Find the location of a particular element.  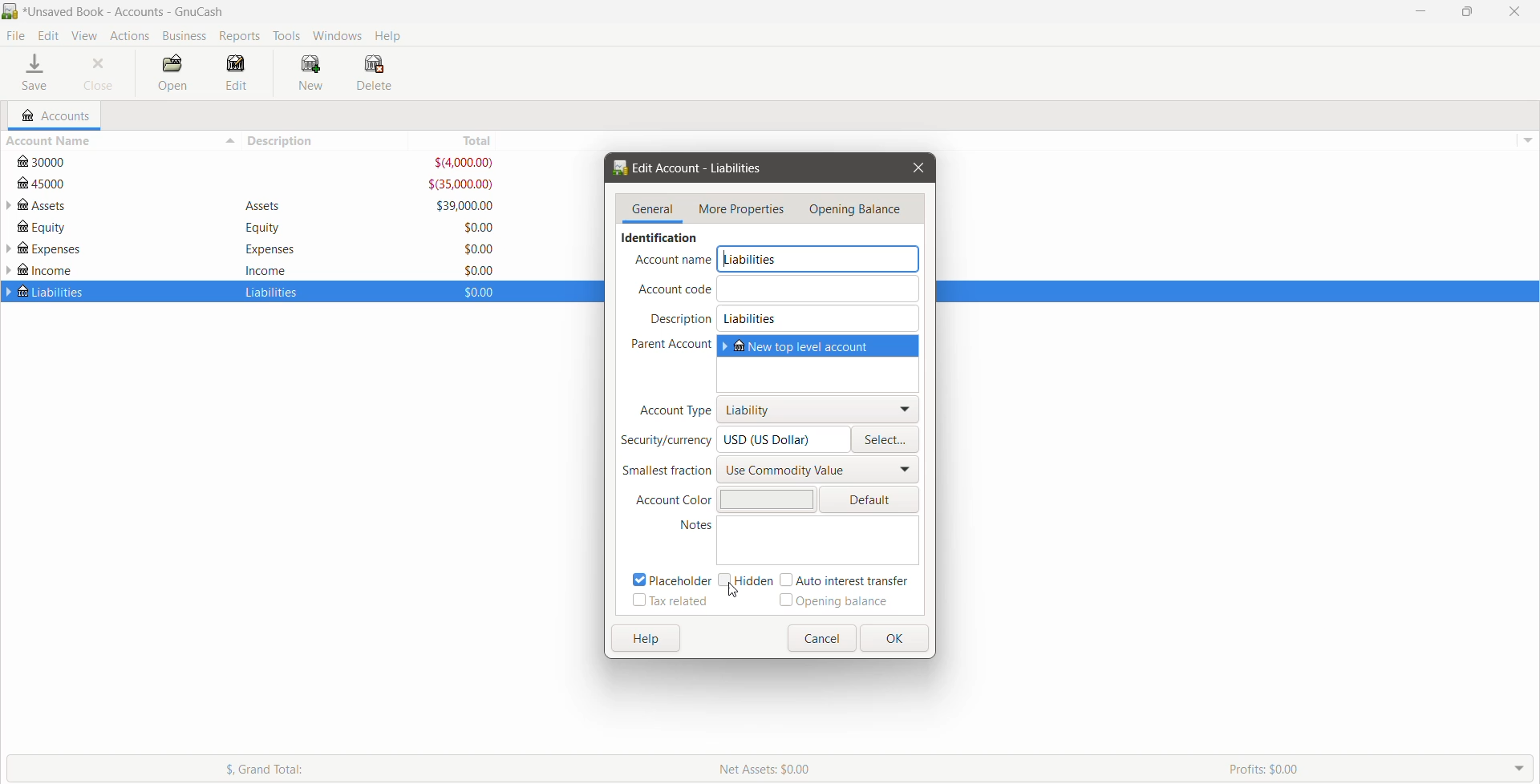

Edit is located at coordinates (237, 74).